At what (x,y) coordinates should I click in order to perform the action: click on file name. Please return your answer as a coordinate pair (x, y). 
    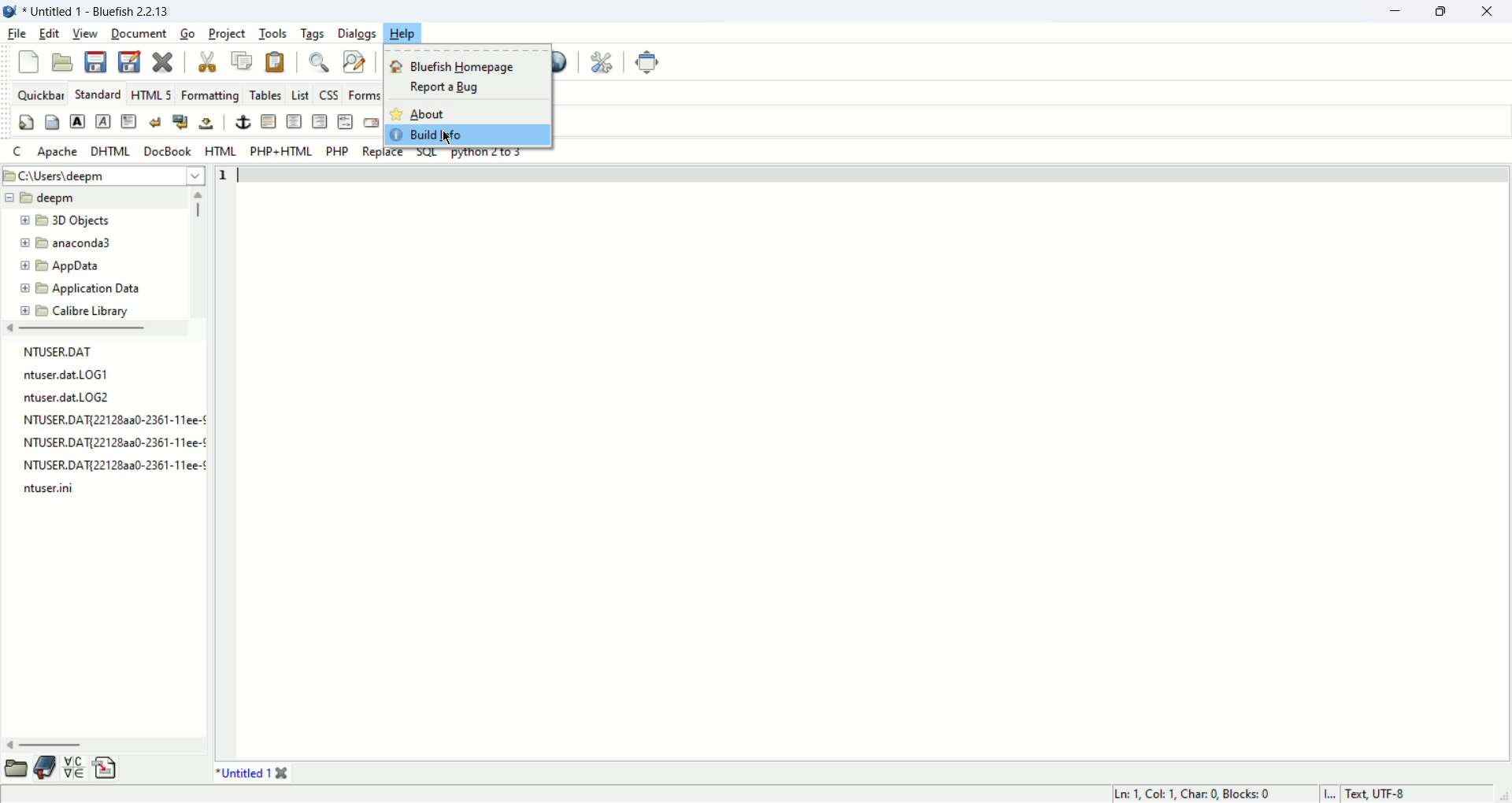
    Looking at the image, I should click on (69, 375).